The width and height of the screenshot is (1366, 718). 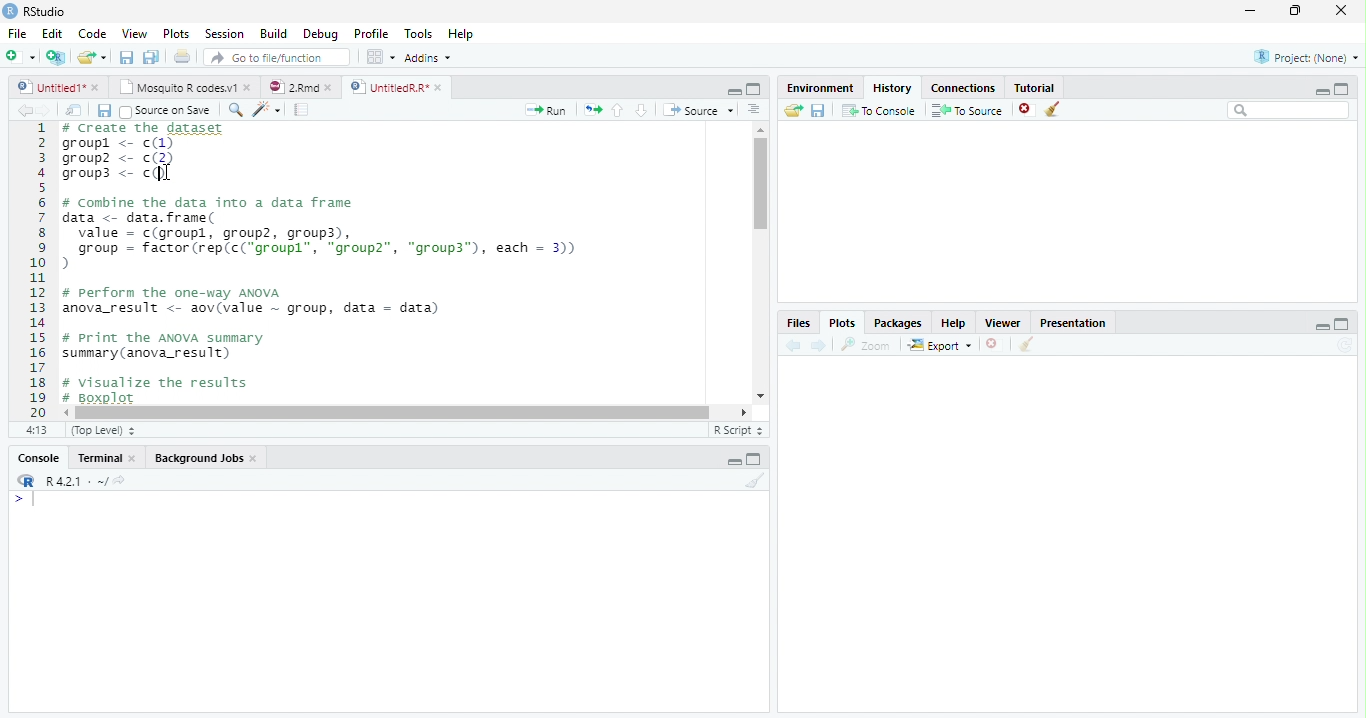 I want to click on Export, so click(x=941, y=345).